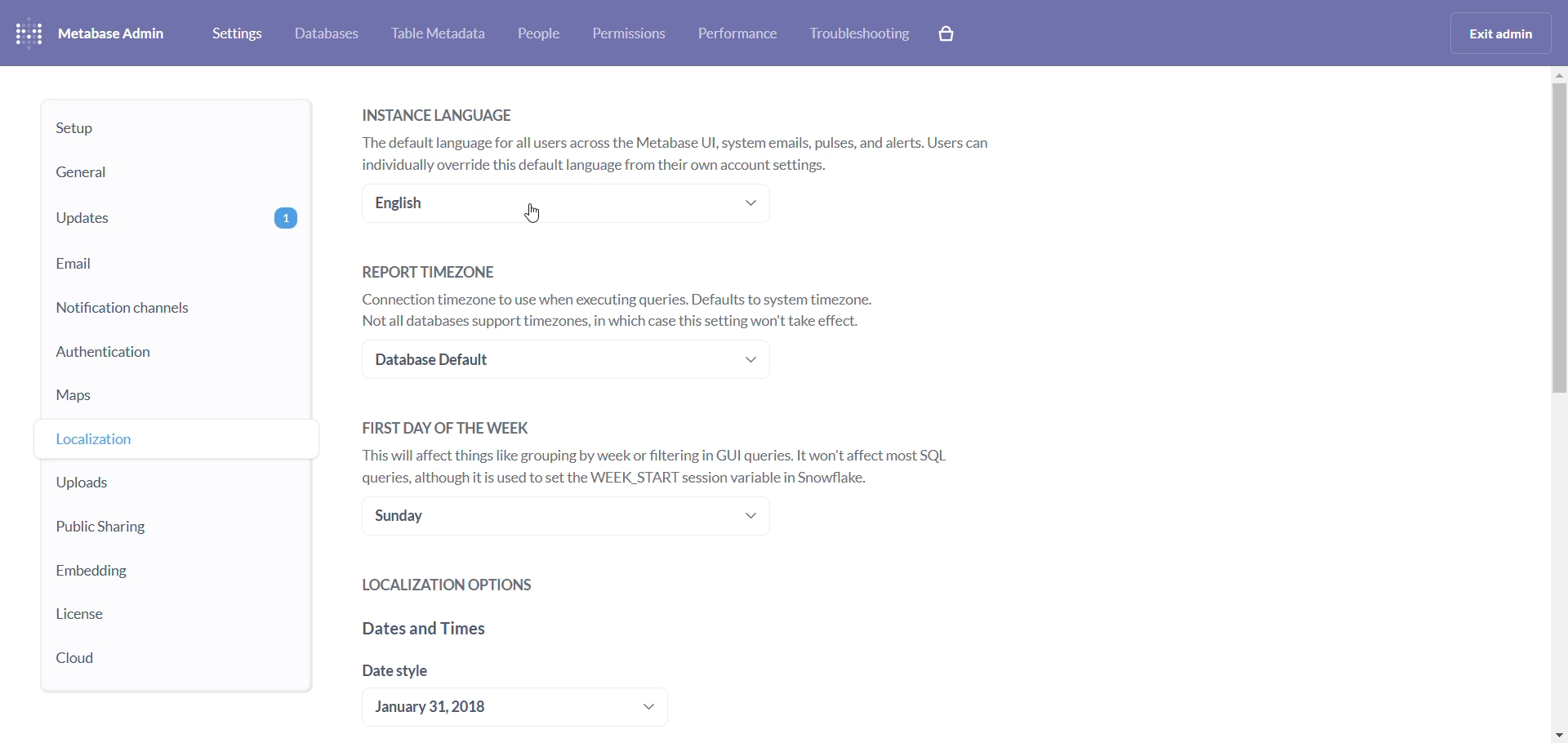 This screenshot has height=743, width=1568. I want to click on general, so click(151, 173).